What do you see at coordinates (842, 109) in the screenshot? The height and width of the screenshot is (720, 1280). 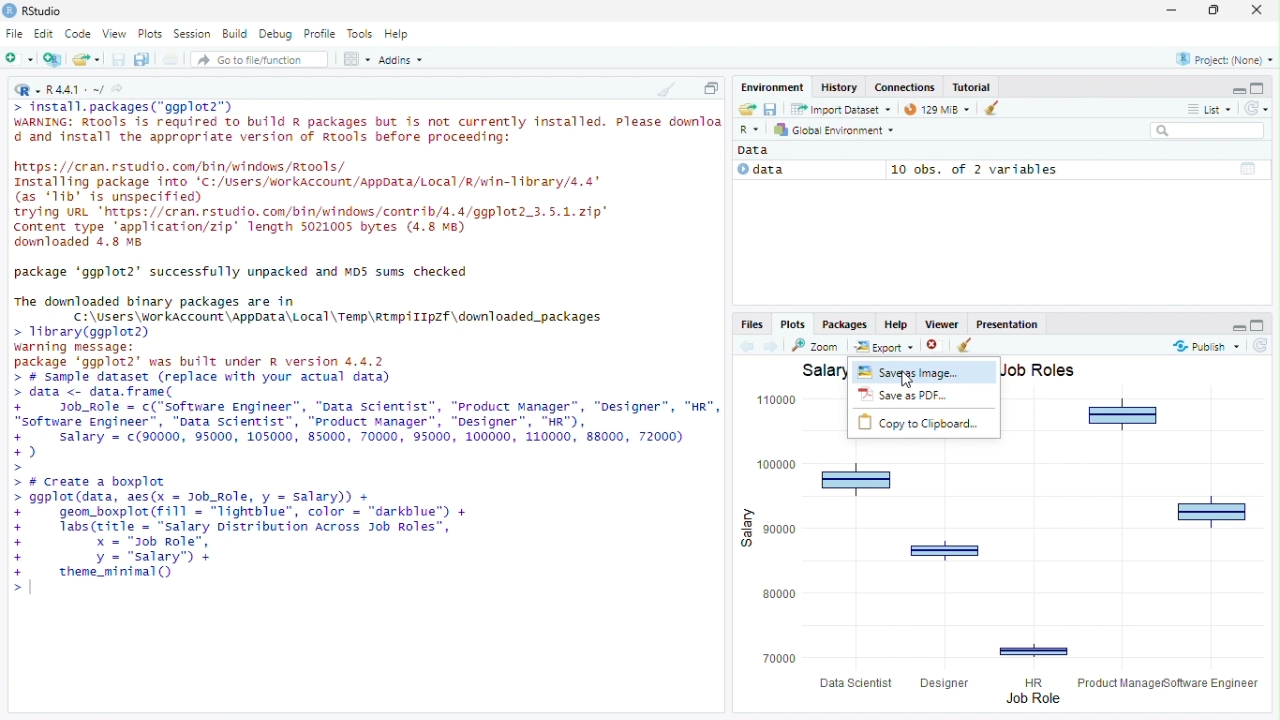 I see `Import dataset` at bounding box center [842, 109].